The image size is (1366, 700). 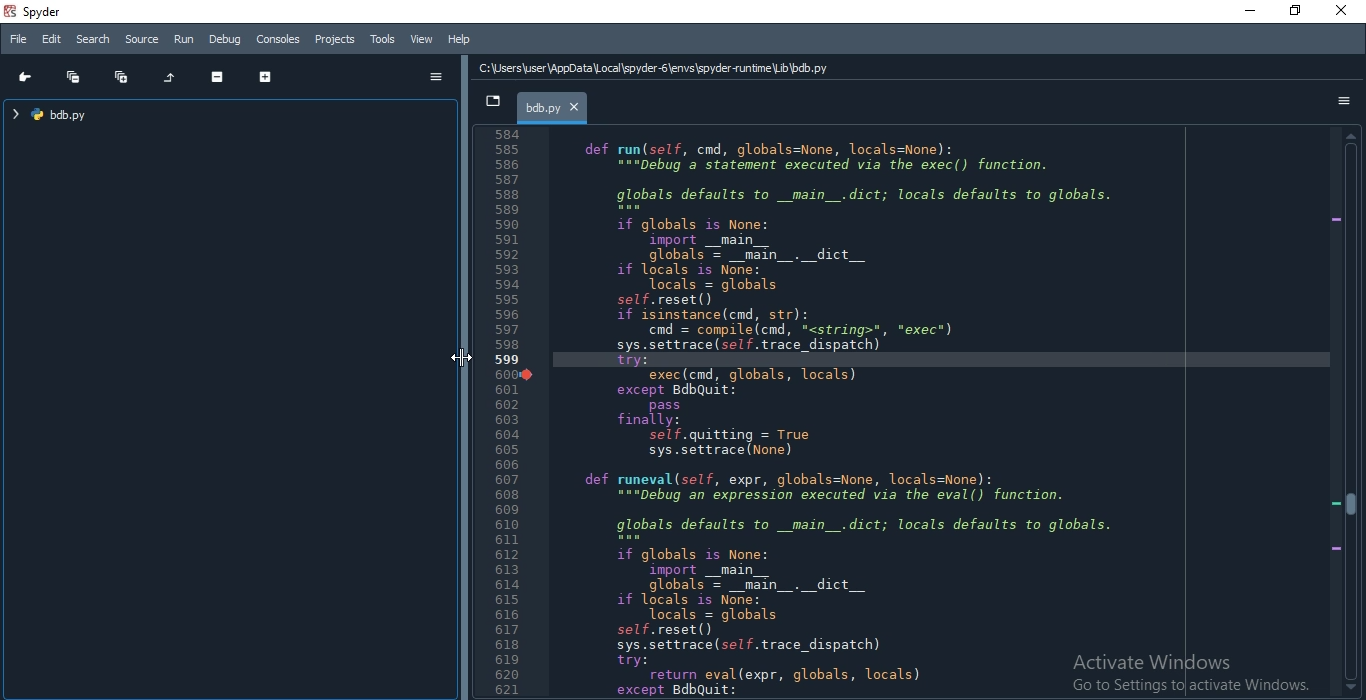 What do you see at coordinates (1252, 12) in the screenshot?
I see `minimize` at bounding box center [1252, 12].